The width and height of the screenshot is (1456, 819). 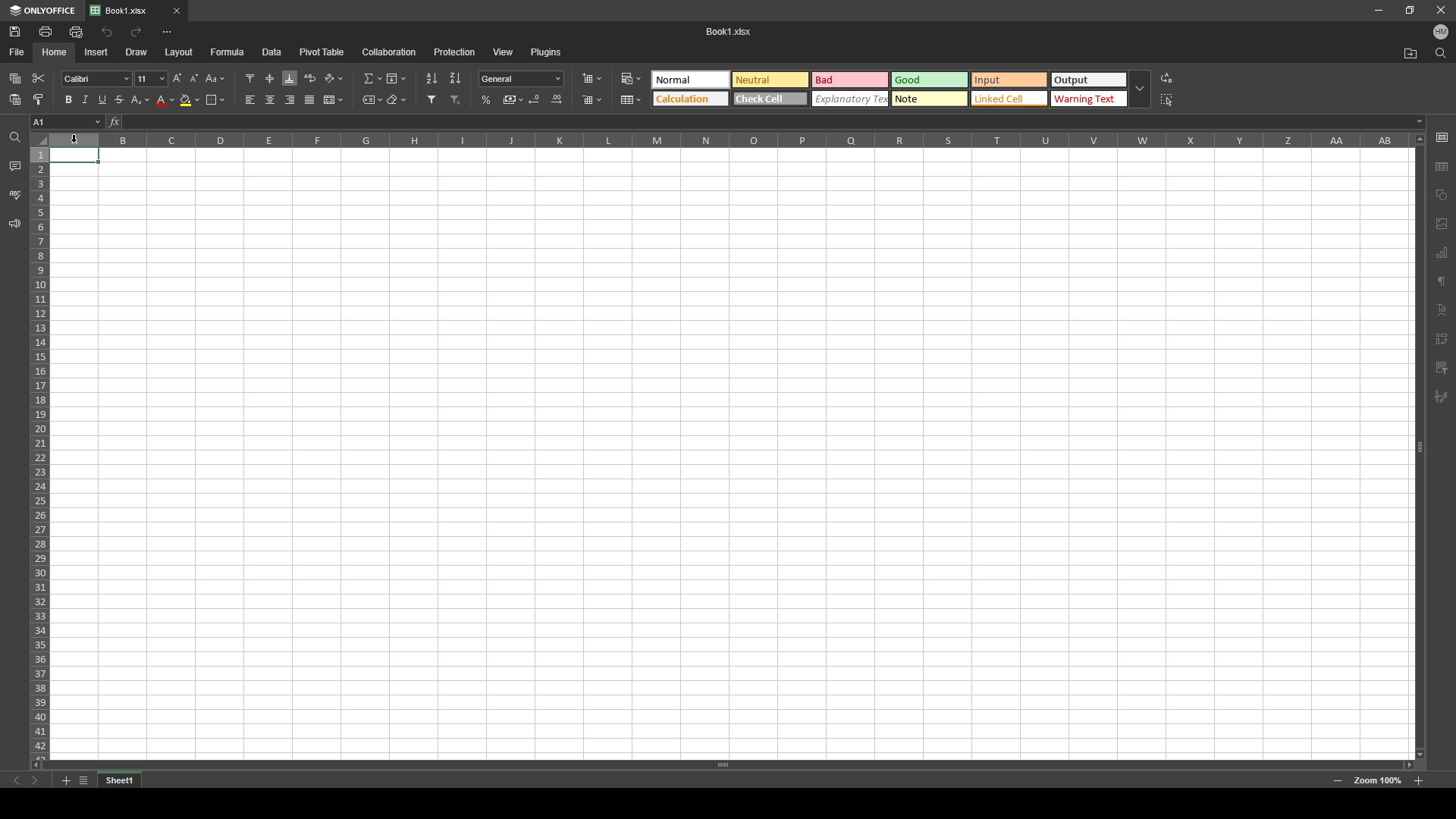 What do you see at coordinates (15, 100) in the screenshot?
I see `paste` at bounding box center [15, 100].